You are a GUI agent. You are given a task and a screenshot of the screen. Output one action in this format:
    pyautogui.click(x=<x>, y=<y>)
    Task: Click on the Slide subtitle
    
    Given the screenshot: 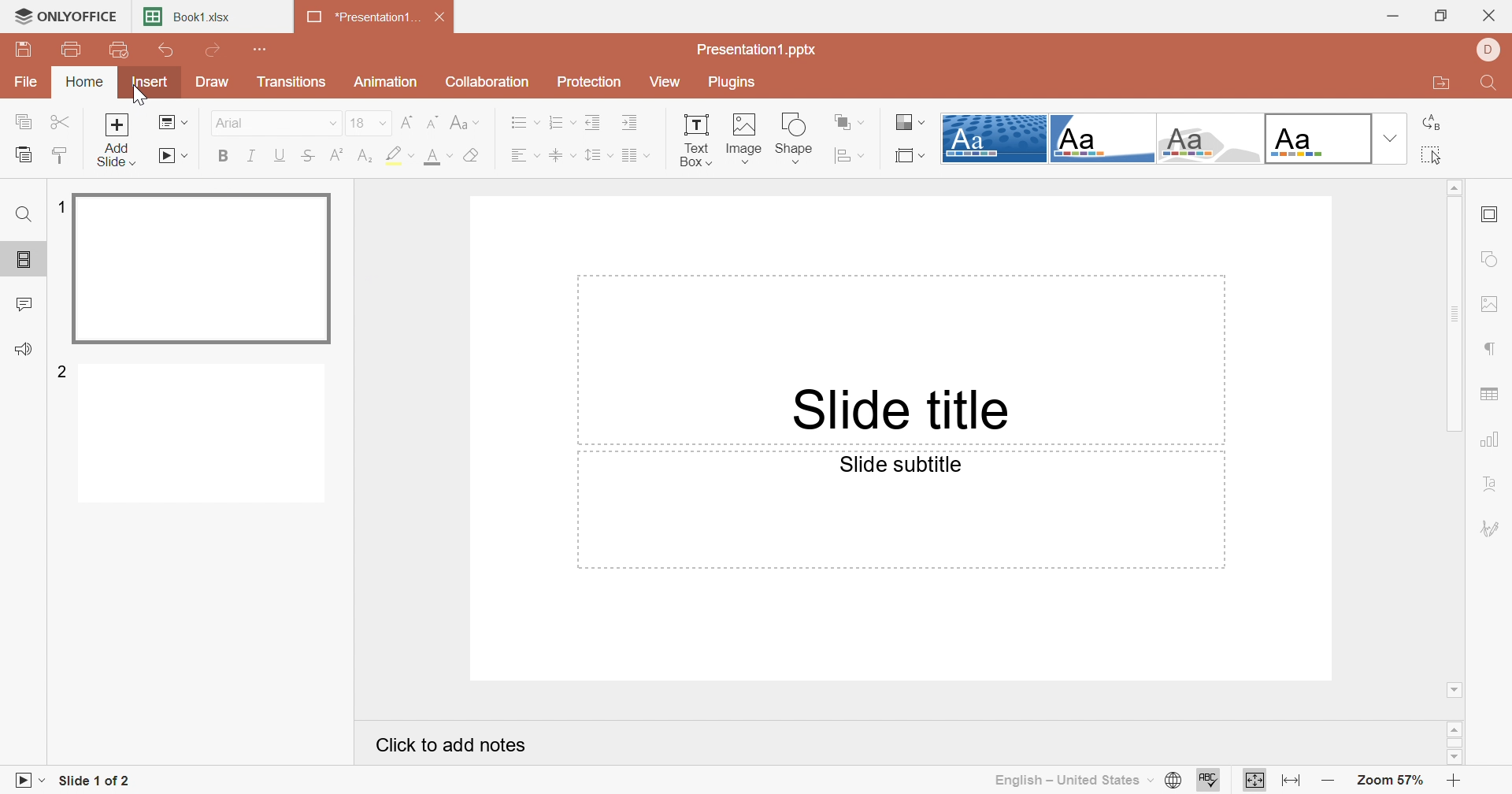 What is the action you would take?
    pyautogui.click(x=901, y=465)
    